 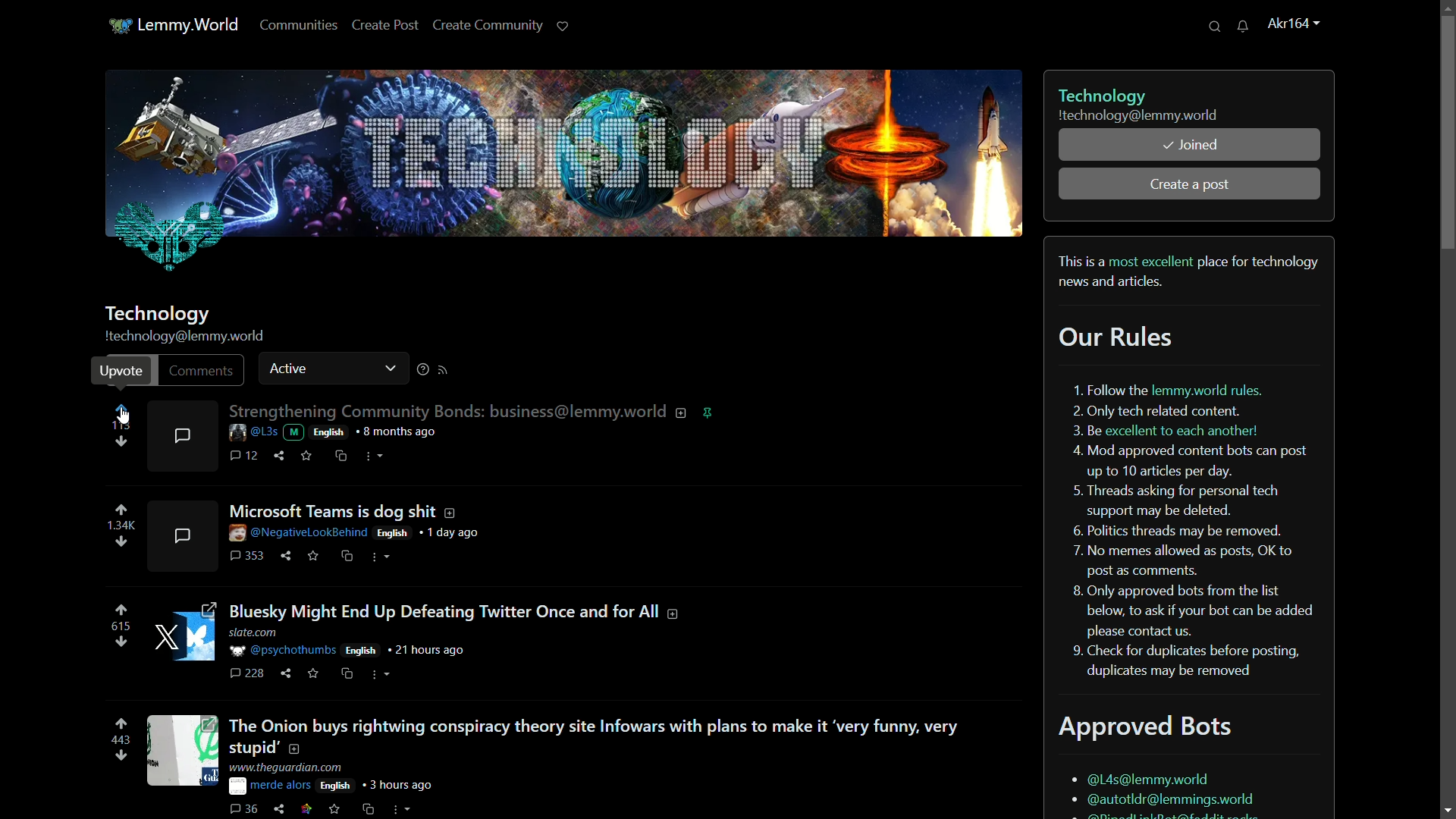 I want to click on save, so click(x=336, y=805).